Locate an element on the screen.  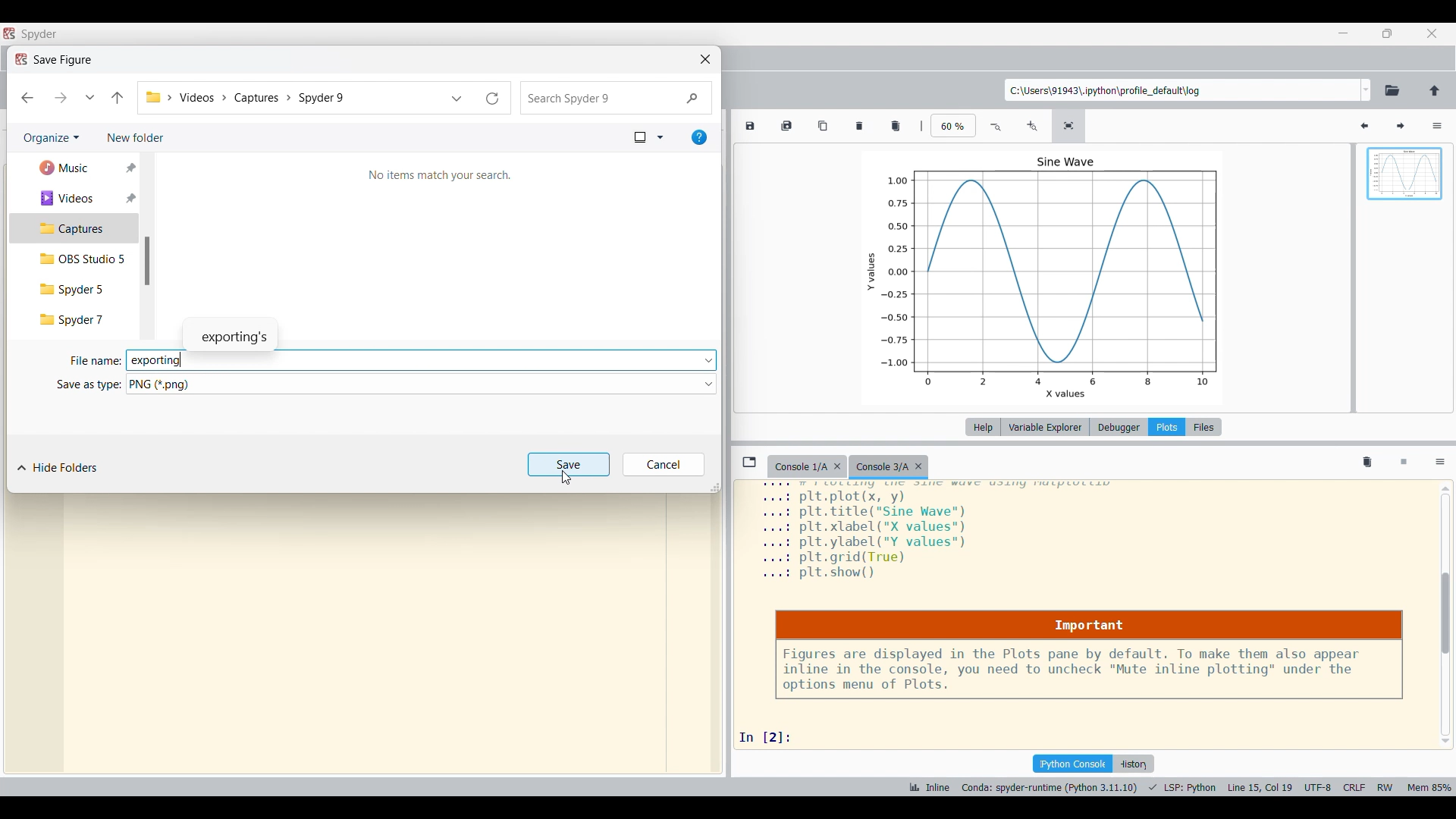
Files is located at coordinates (1204, 427).